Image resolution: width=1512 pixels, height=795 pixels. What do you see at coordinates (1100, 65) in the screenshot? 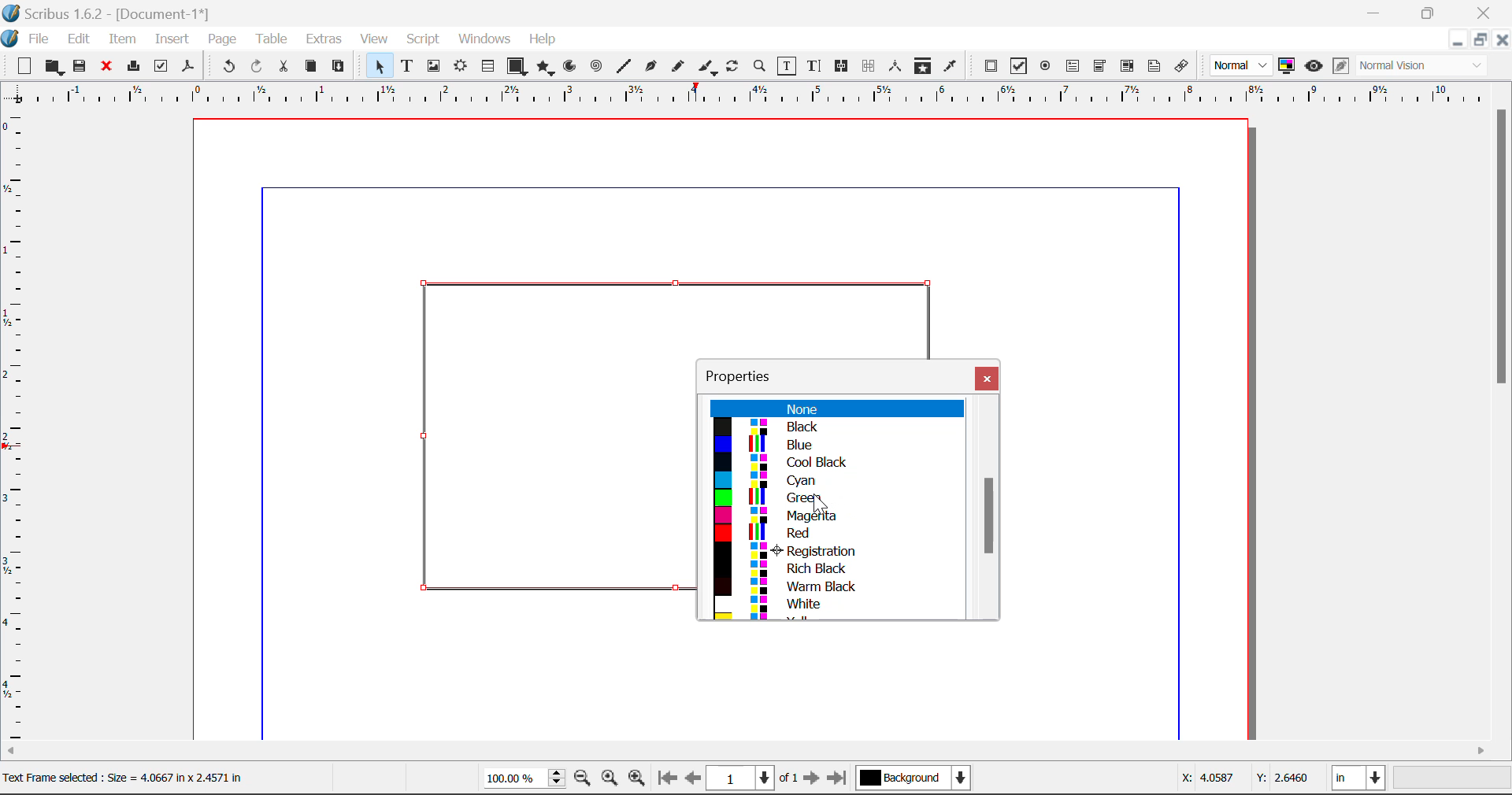
I see `Pdf Combo Box` at bounding box center [1100, 65].